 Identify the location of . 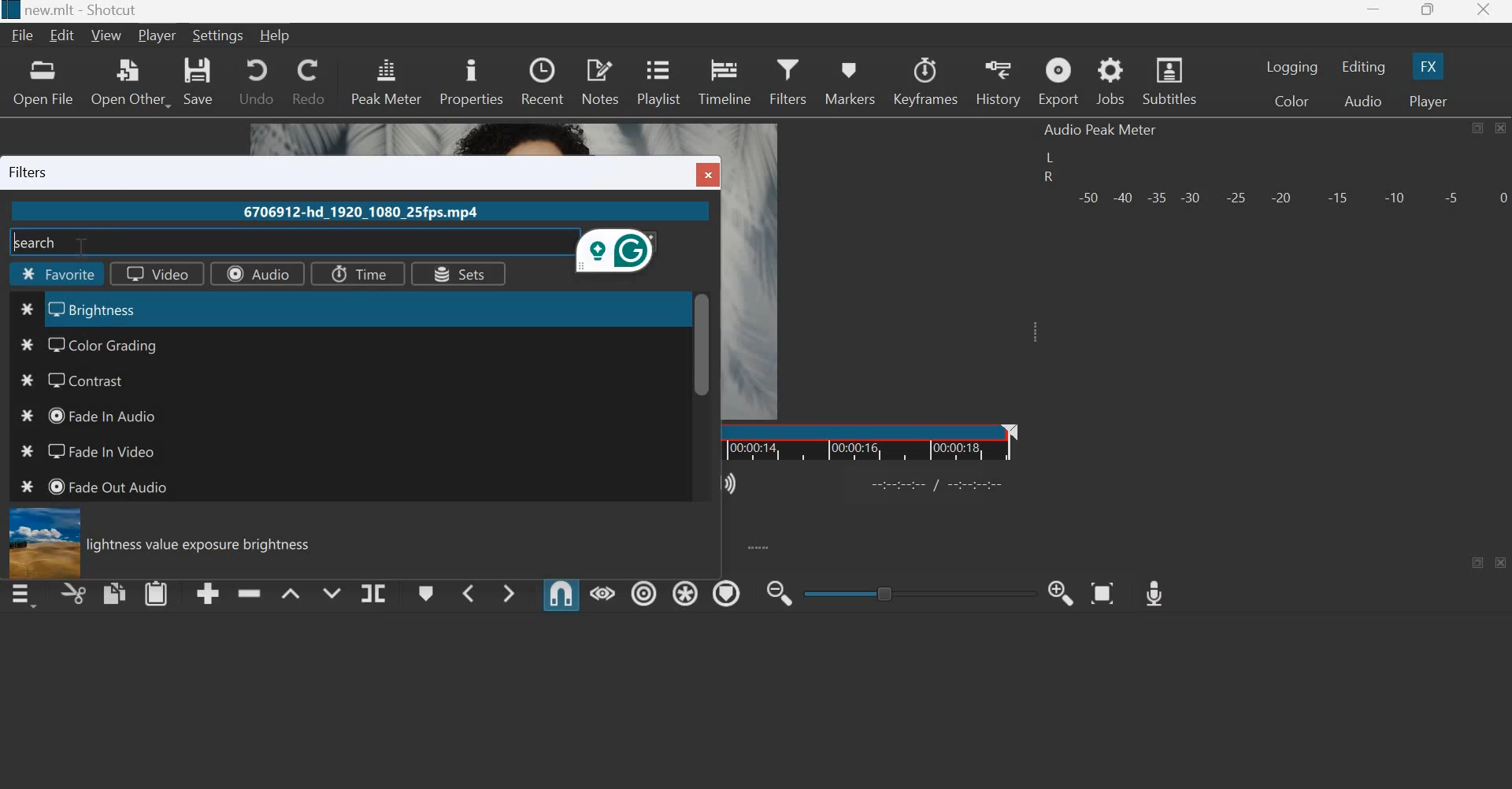
(28, 419).